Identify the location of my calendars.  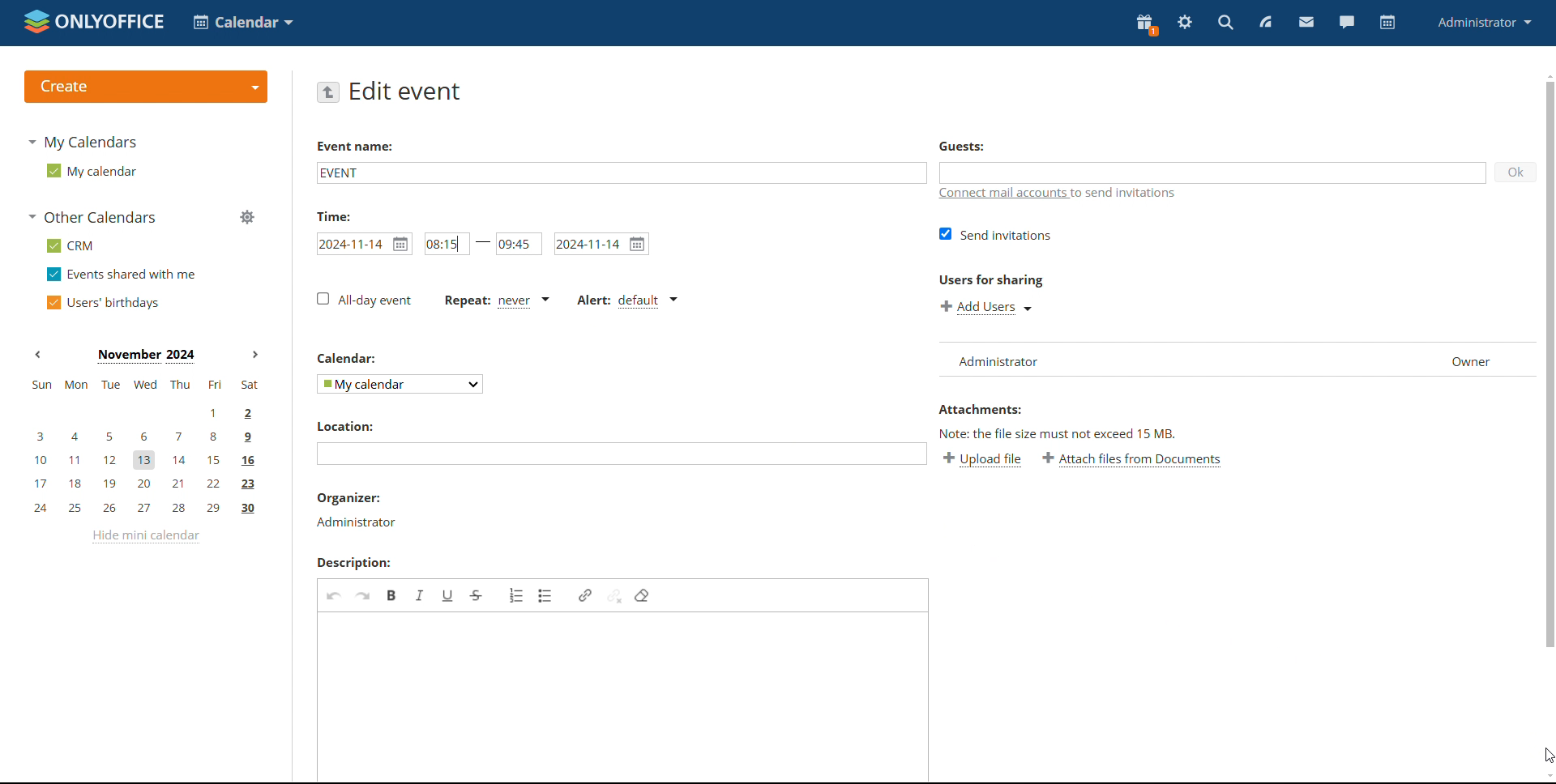
(86, 143).